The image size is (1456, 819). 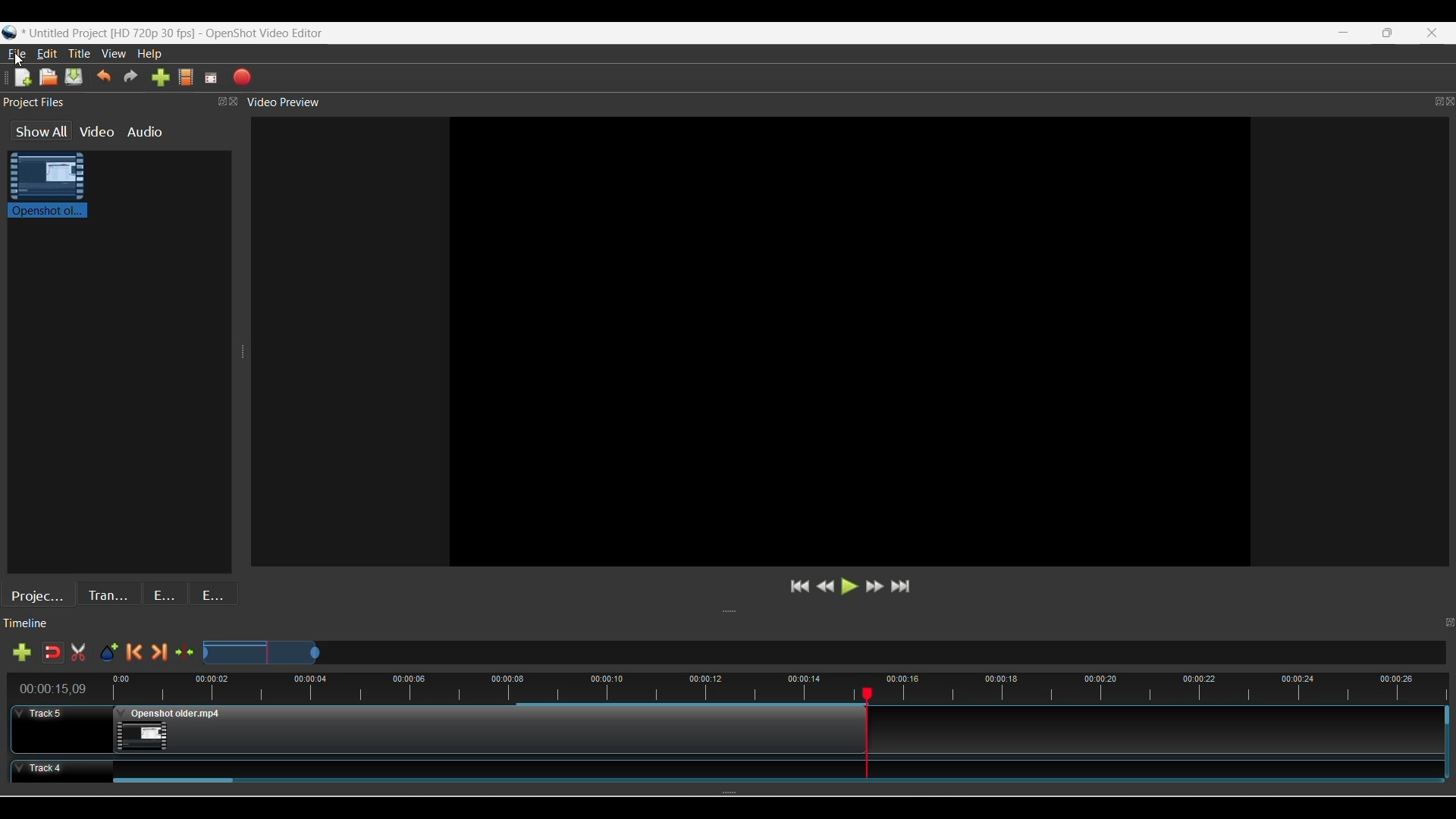 What do you see at coordinates (61, 729) in the screenshot?
I see `Track Header for track 5` at bounding box center [61, 729].